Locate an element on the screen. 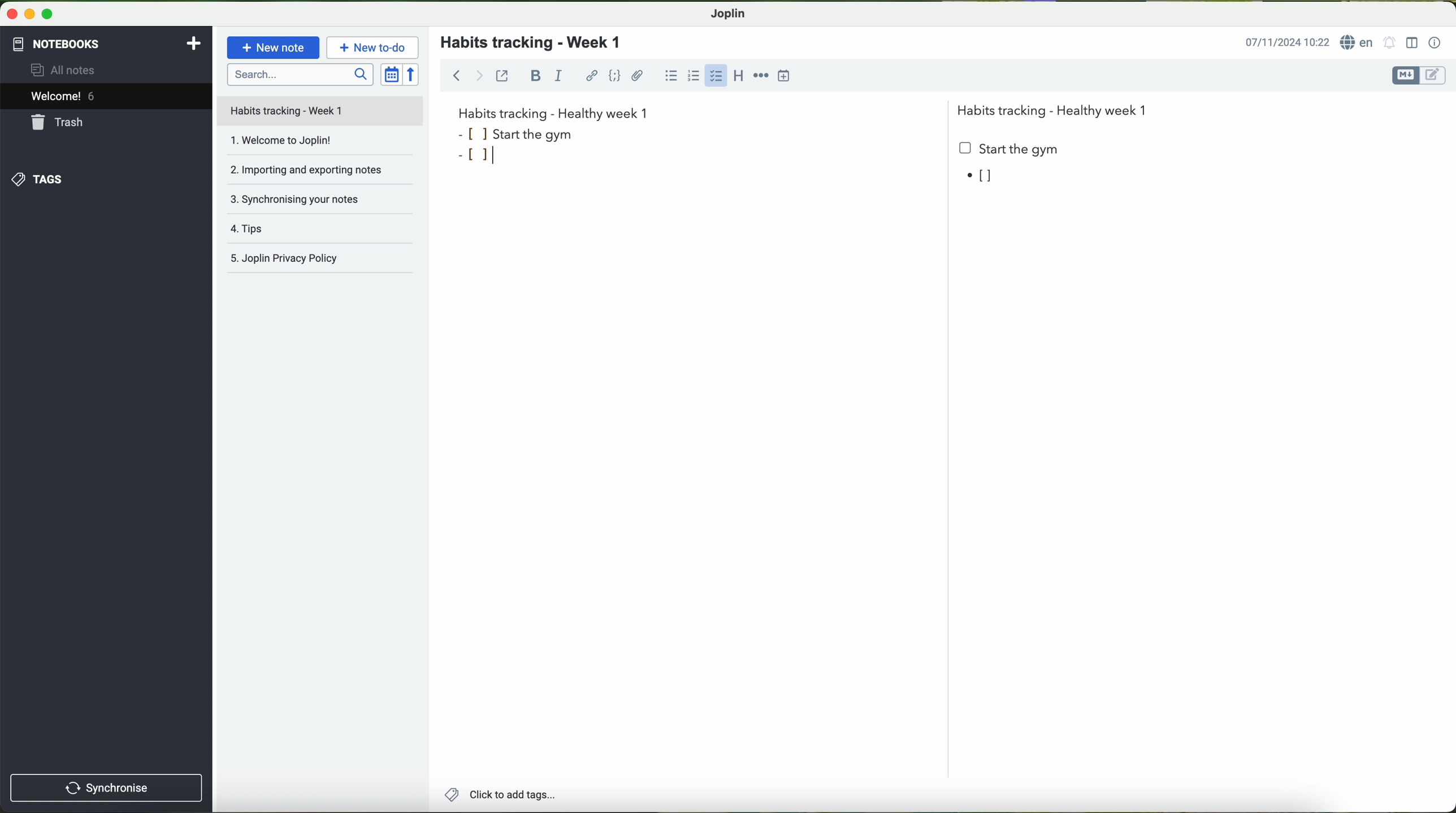  synchronise button is located at coordinates (107, 788).